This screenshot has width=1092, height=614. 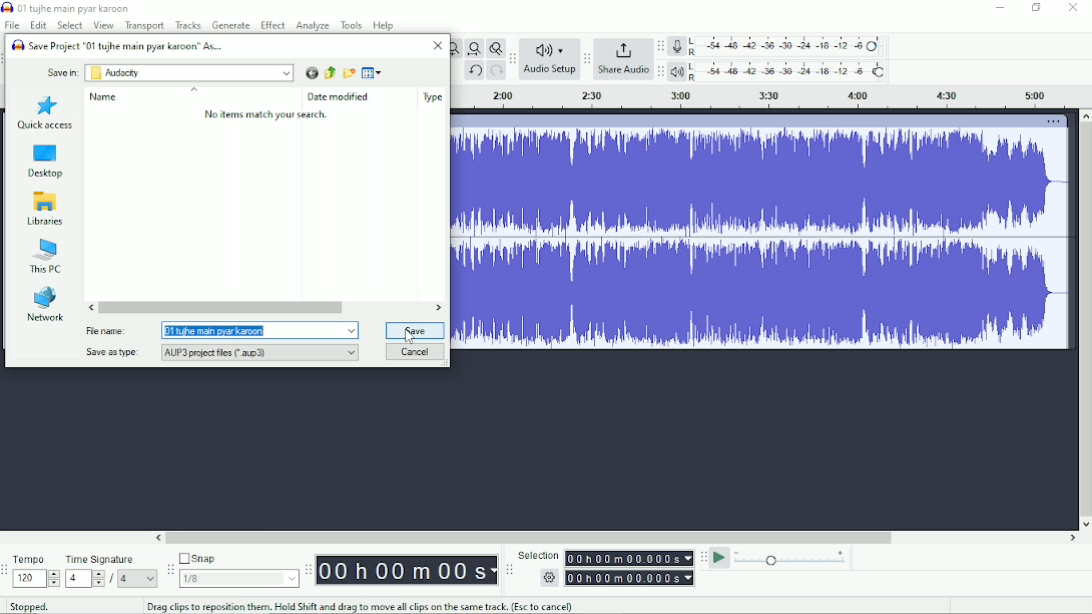 I want to click on Save in, so click(x=60, y=72).